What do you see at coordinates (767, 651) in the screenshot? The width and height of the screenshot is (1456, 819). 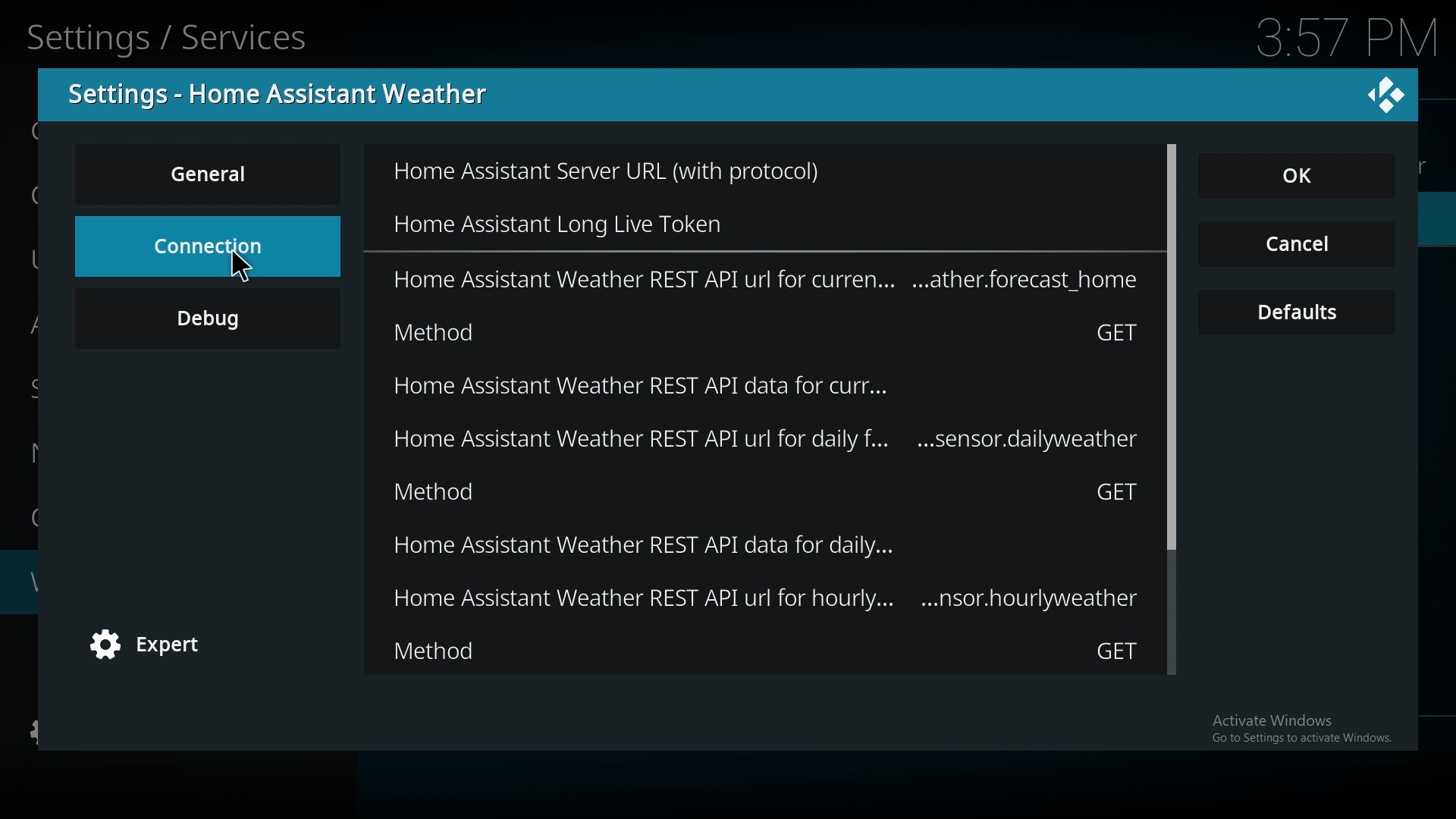 I see `method` at bounding box center [767, 651].